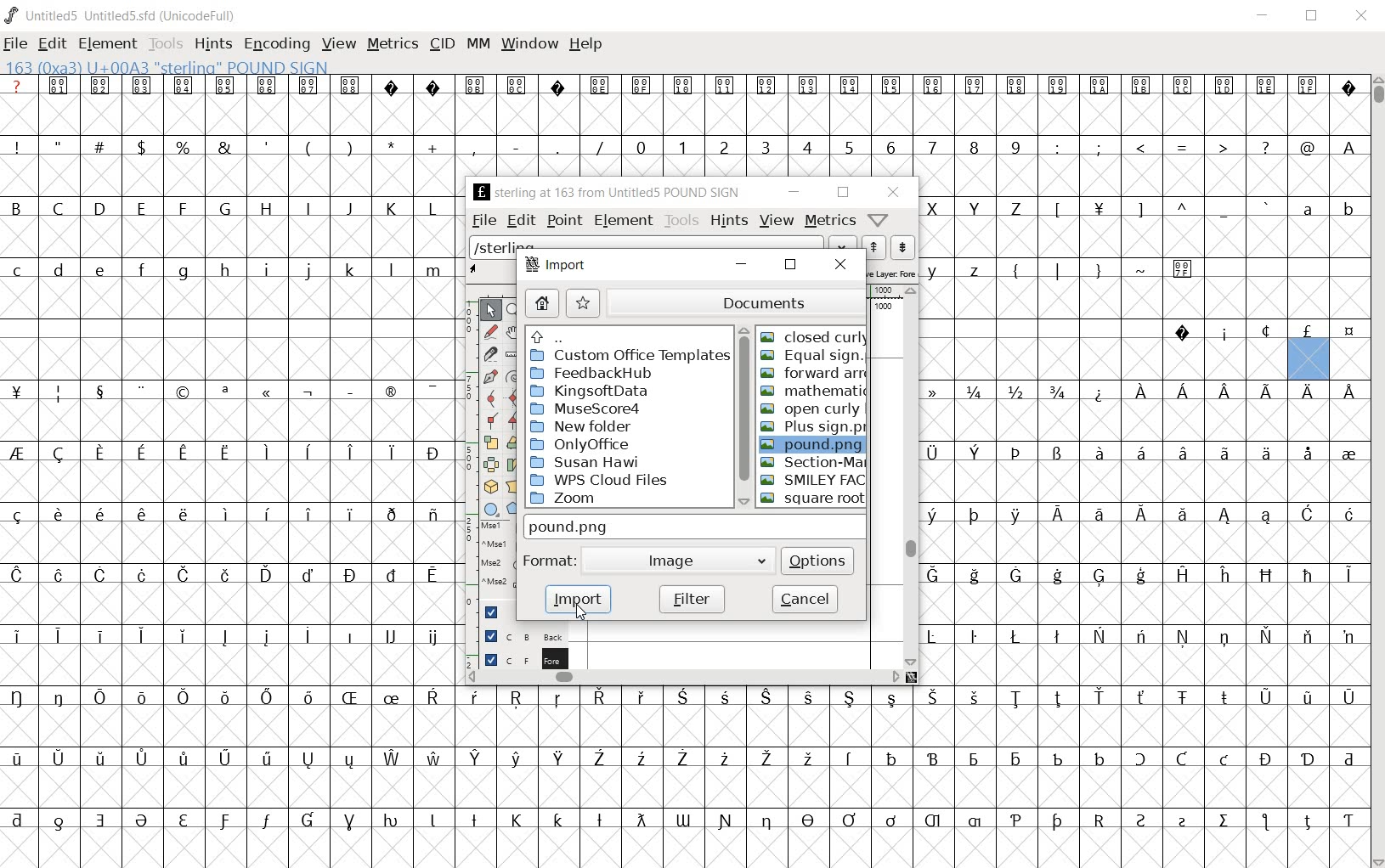 This screenshot has width=1385, height=868. Describe the element at coordinates (1268, 518) in the screenshot. I see `Symbol` at that location.